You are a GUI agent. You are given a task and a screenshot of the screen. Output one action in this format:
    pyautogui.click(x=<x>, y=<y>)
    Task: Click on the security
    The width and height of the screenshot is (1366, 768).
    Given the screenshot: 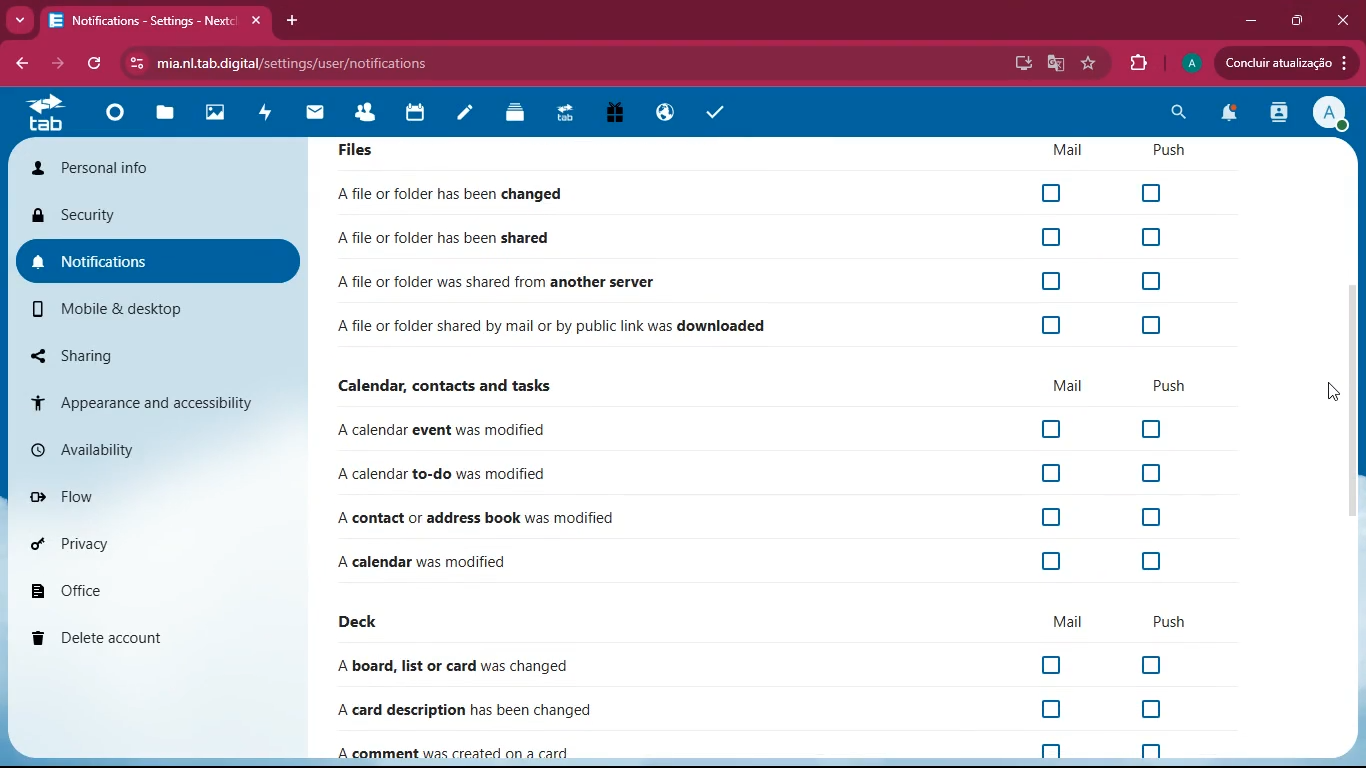 What is the action you would take?
    pyautogui.click(x=149, y=213)
    